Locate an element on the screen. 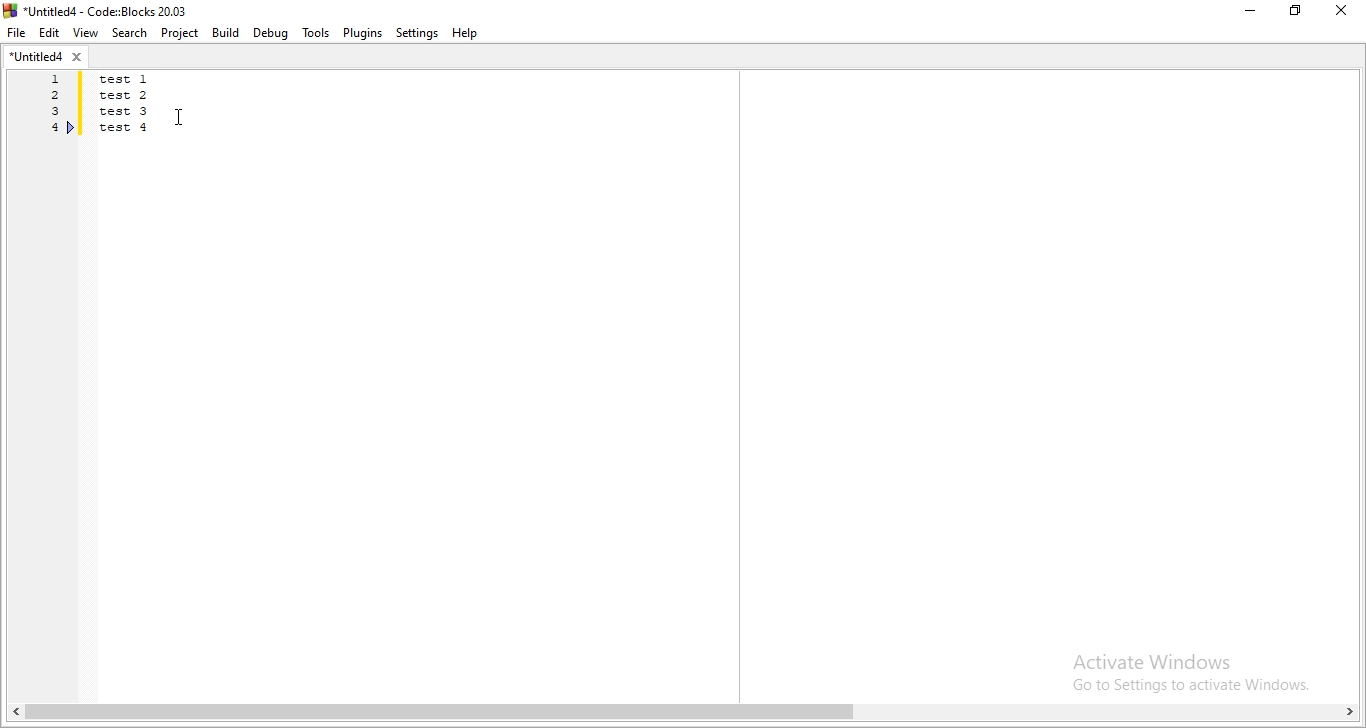 This screenshot has width=1366, height=728. Debug  is located at coordinates (272, 33).